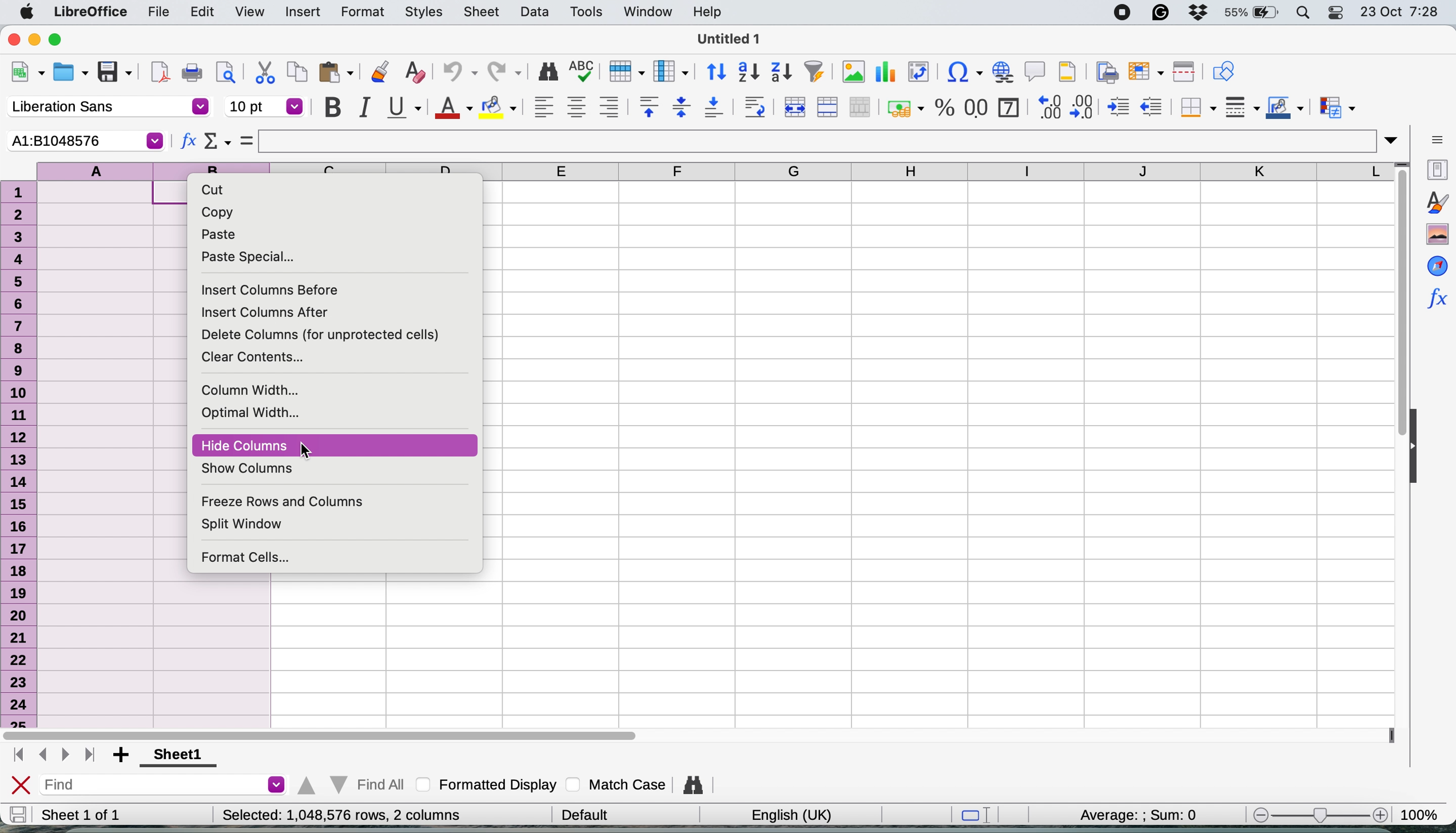 The width and height of the screenshot is (1456, 833). I want to click on match case, so click(619, 785).